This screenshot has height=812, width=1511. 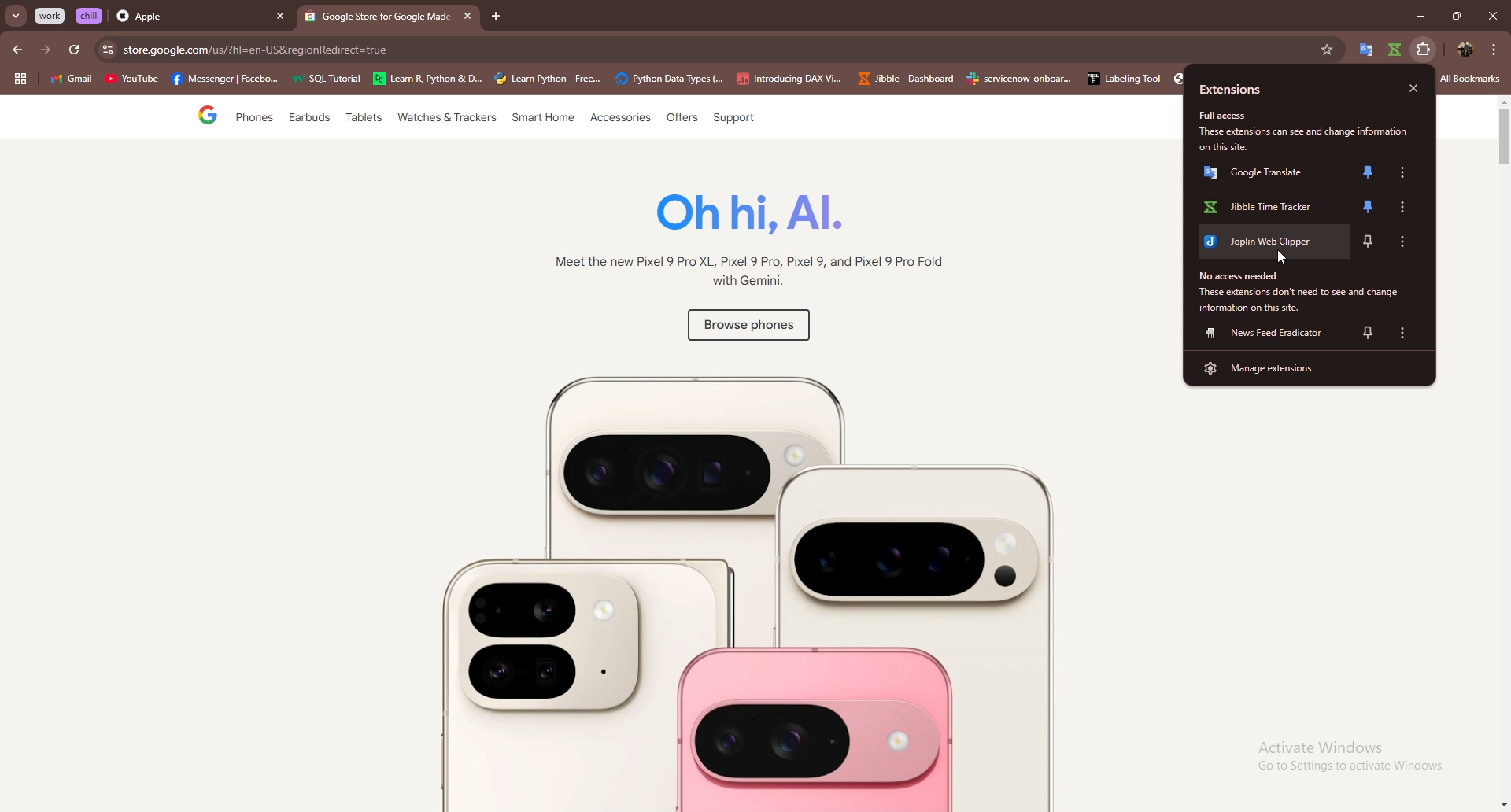 I want to click on Accessories, so click(x=622, y=119).